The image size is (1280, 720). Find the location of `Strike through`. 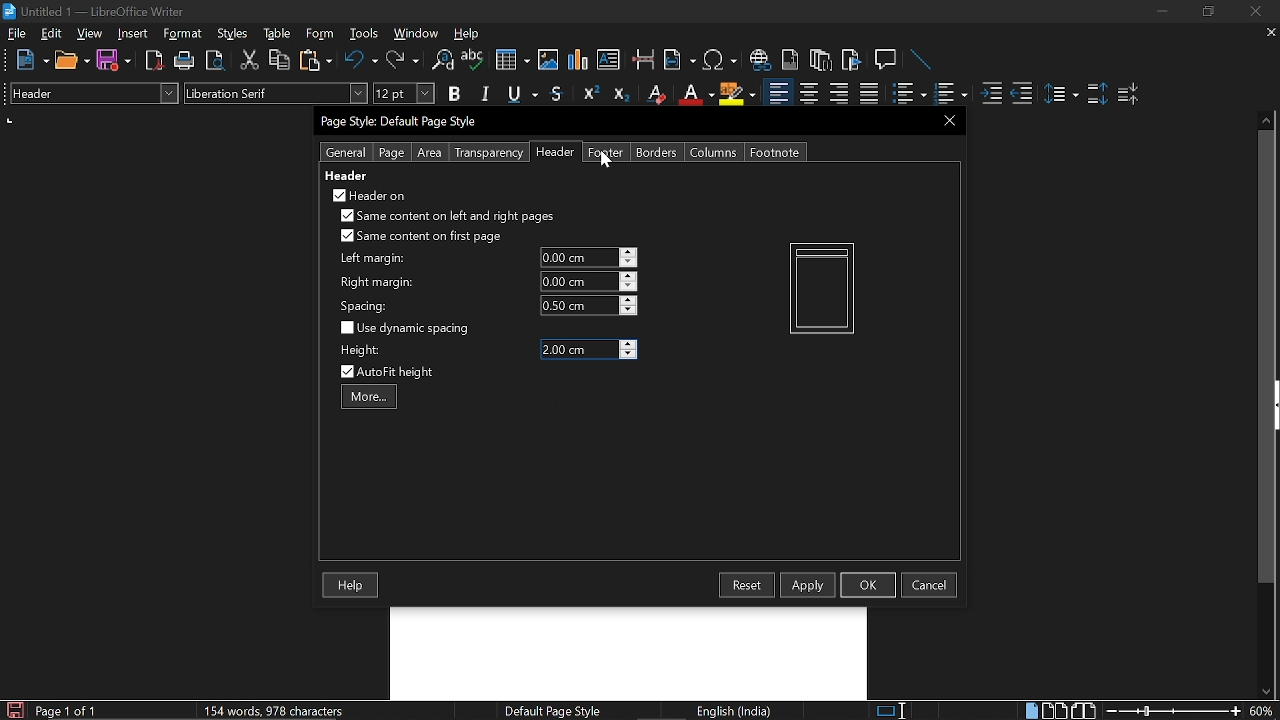

Strike through is located at coordinates (557, 93).